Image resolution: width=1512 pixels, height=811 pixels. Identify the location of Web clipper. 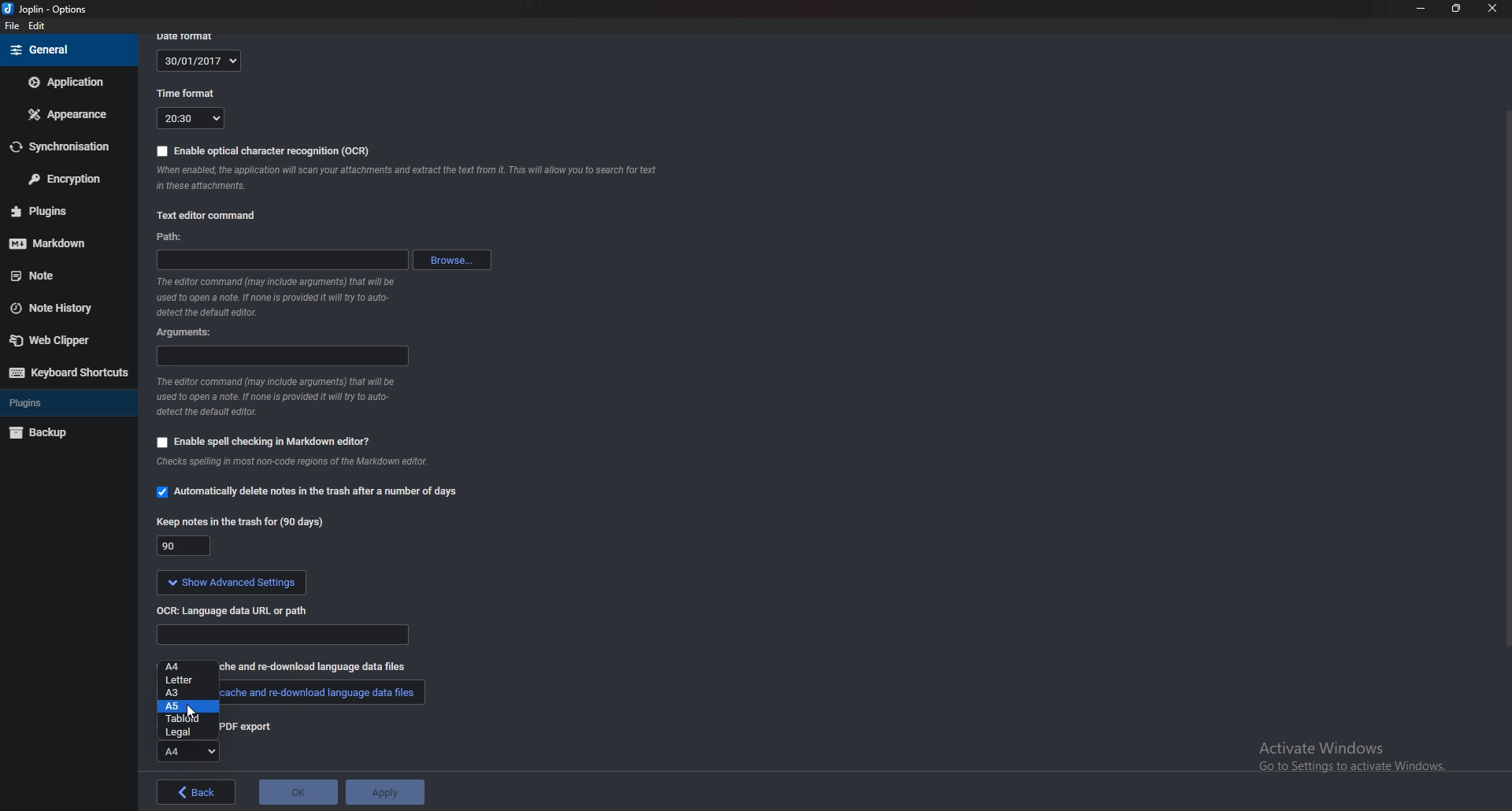
(61, 340).